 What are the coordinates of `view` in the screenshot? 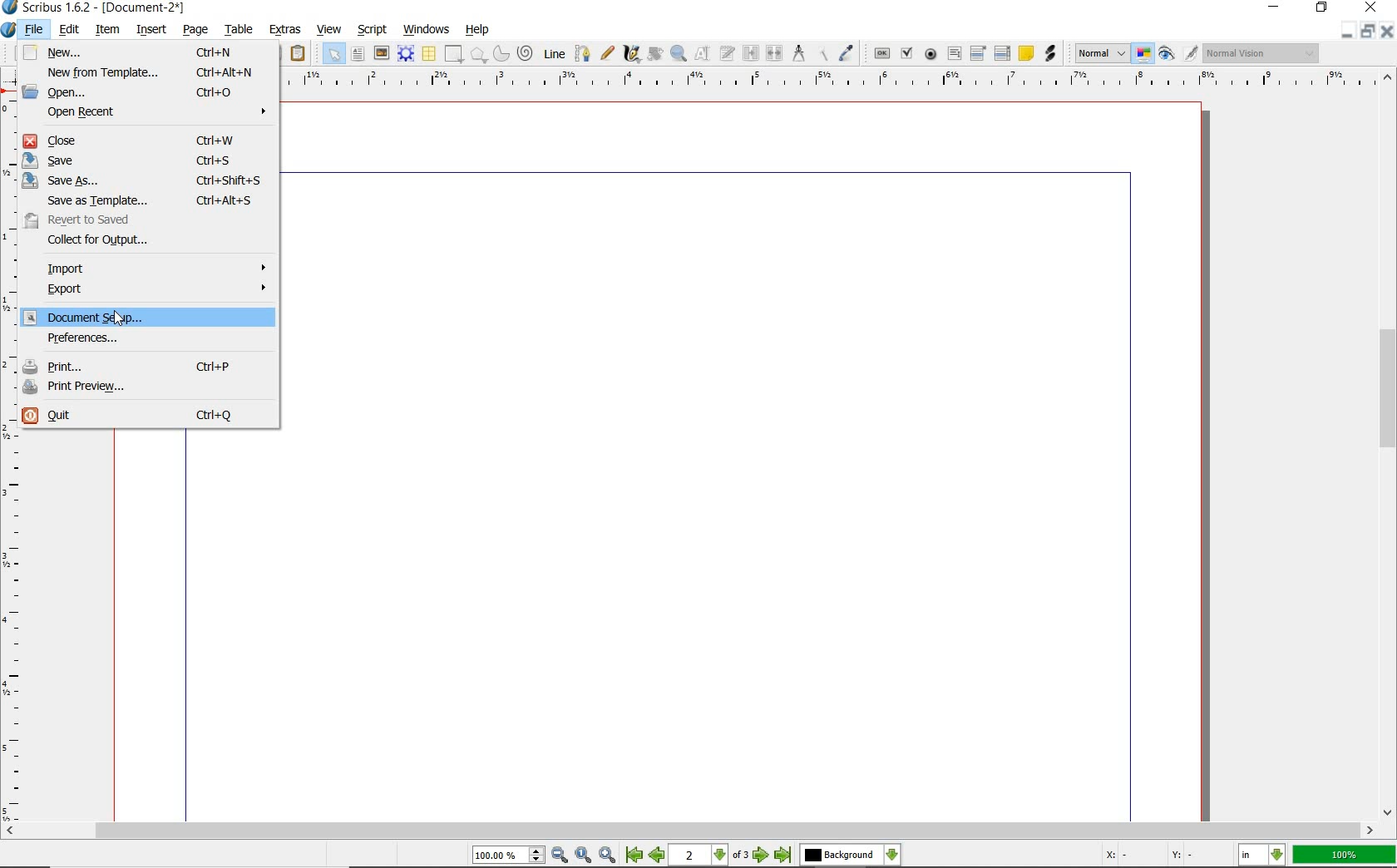 It's located at (328, 29).